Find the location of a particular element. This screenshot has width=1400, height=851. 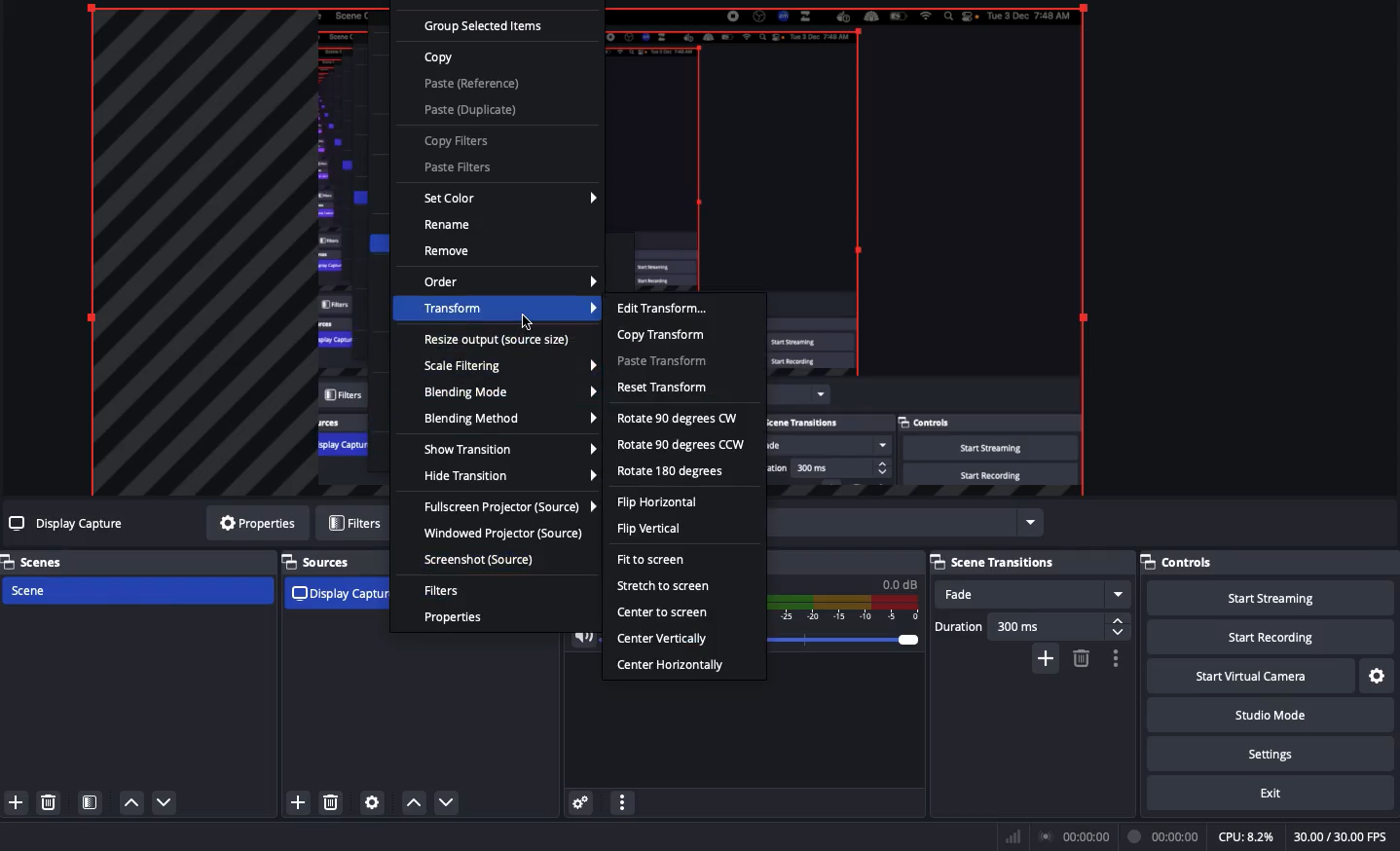

cursor is located at coordinates (524, 324).